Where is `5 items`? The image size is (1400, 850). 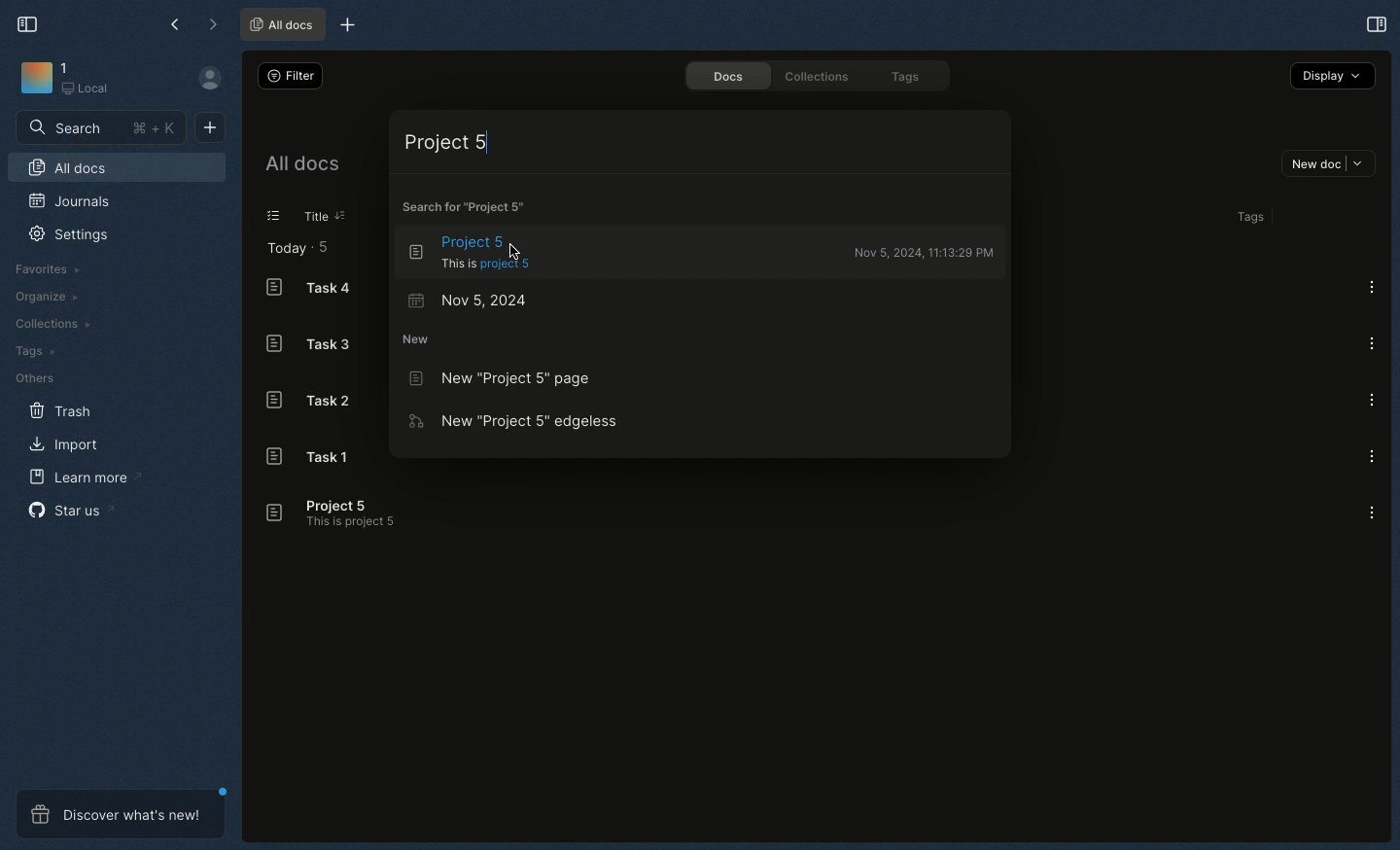
5 items is located at coordinates (323, 246).